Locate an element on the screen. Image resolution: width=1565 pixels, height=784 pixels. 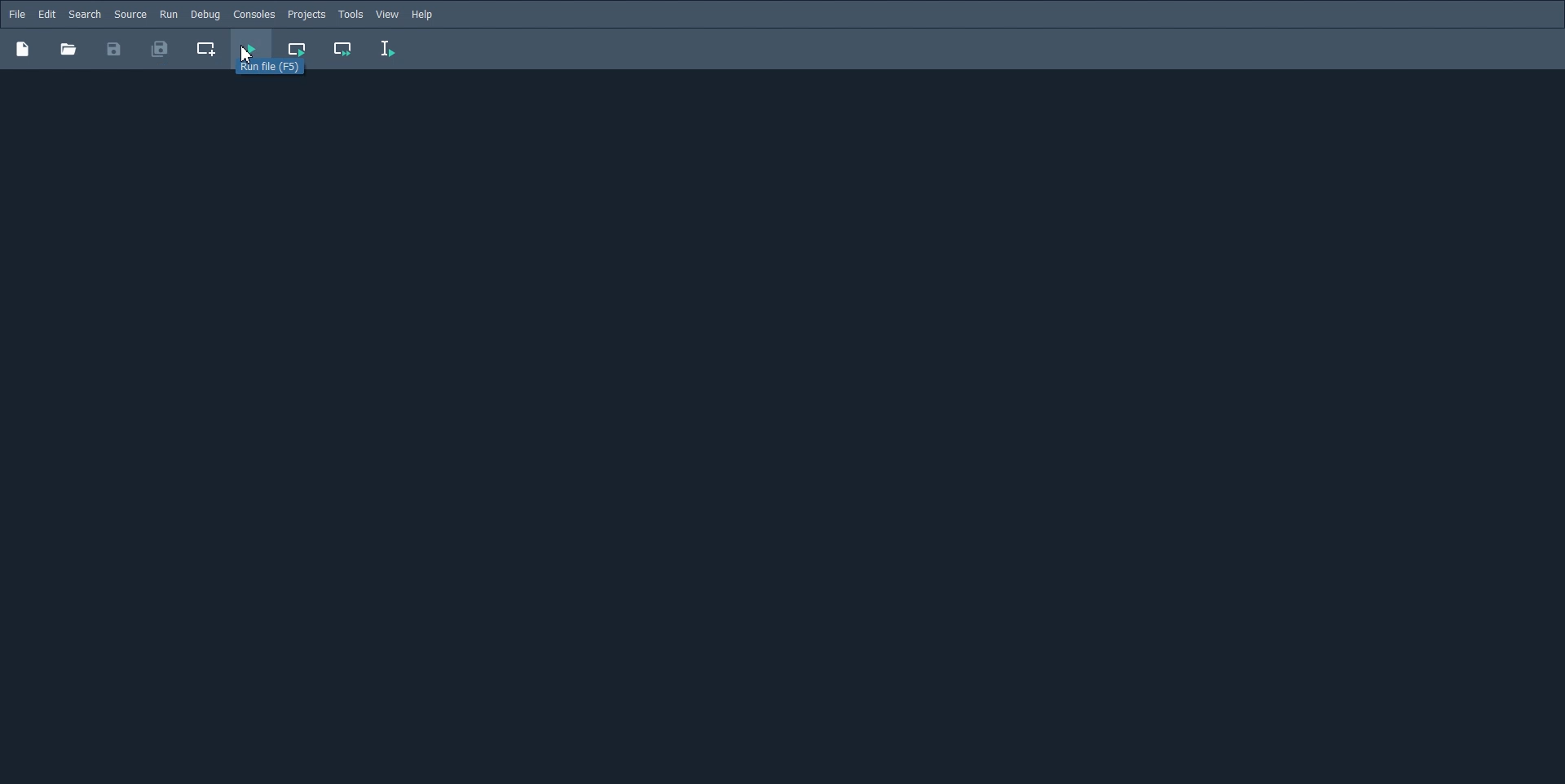
Run Selection is located at coordinates (388, 49).